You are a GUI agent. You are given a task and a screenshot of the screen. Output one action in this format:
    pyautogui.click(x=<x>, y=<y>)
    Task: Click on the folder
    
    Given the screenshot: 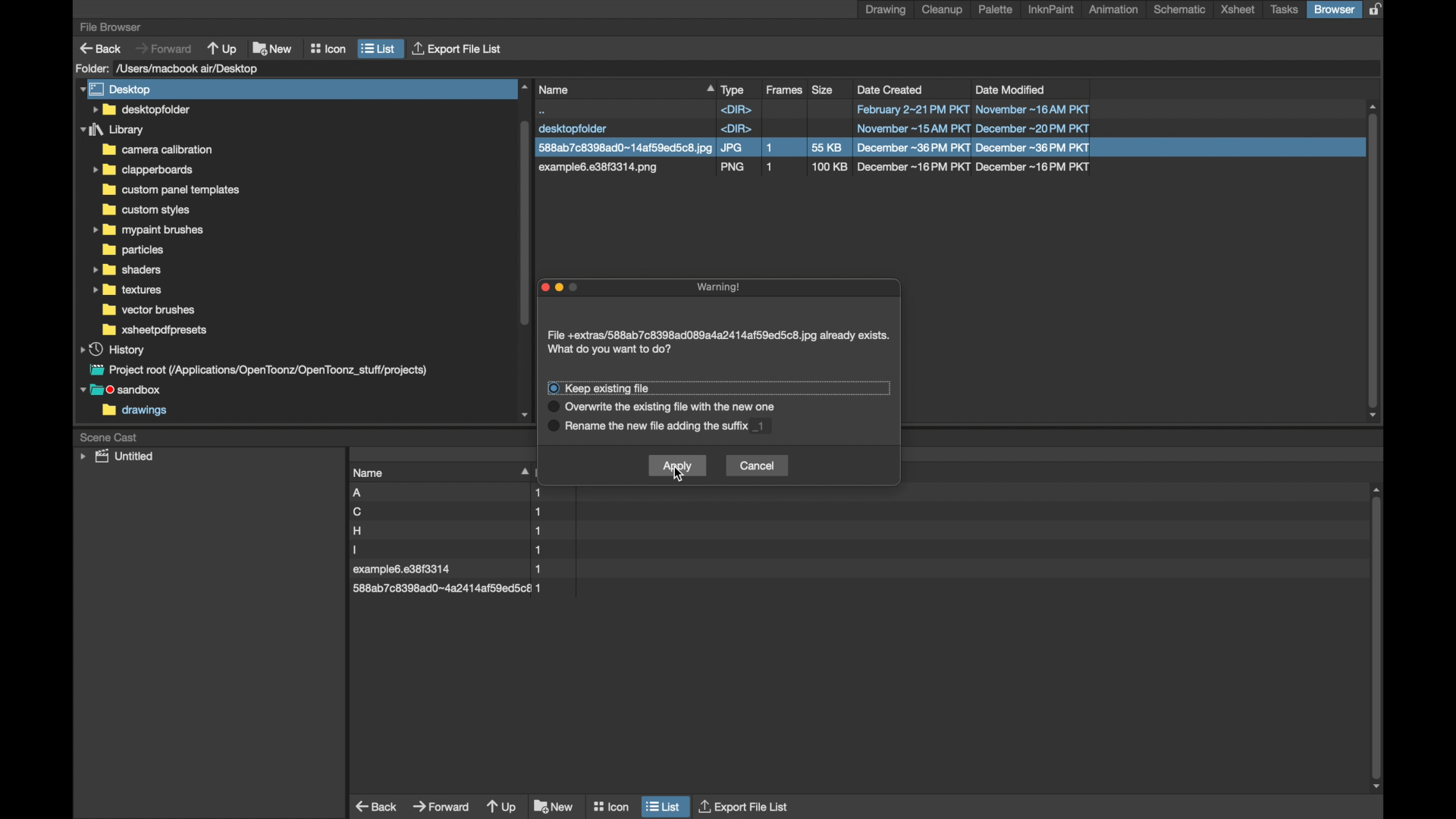 What is the action you would take?
    pyautogui.click(x=143, y=170)
    